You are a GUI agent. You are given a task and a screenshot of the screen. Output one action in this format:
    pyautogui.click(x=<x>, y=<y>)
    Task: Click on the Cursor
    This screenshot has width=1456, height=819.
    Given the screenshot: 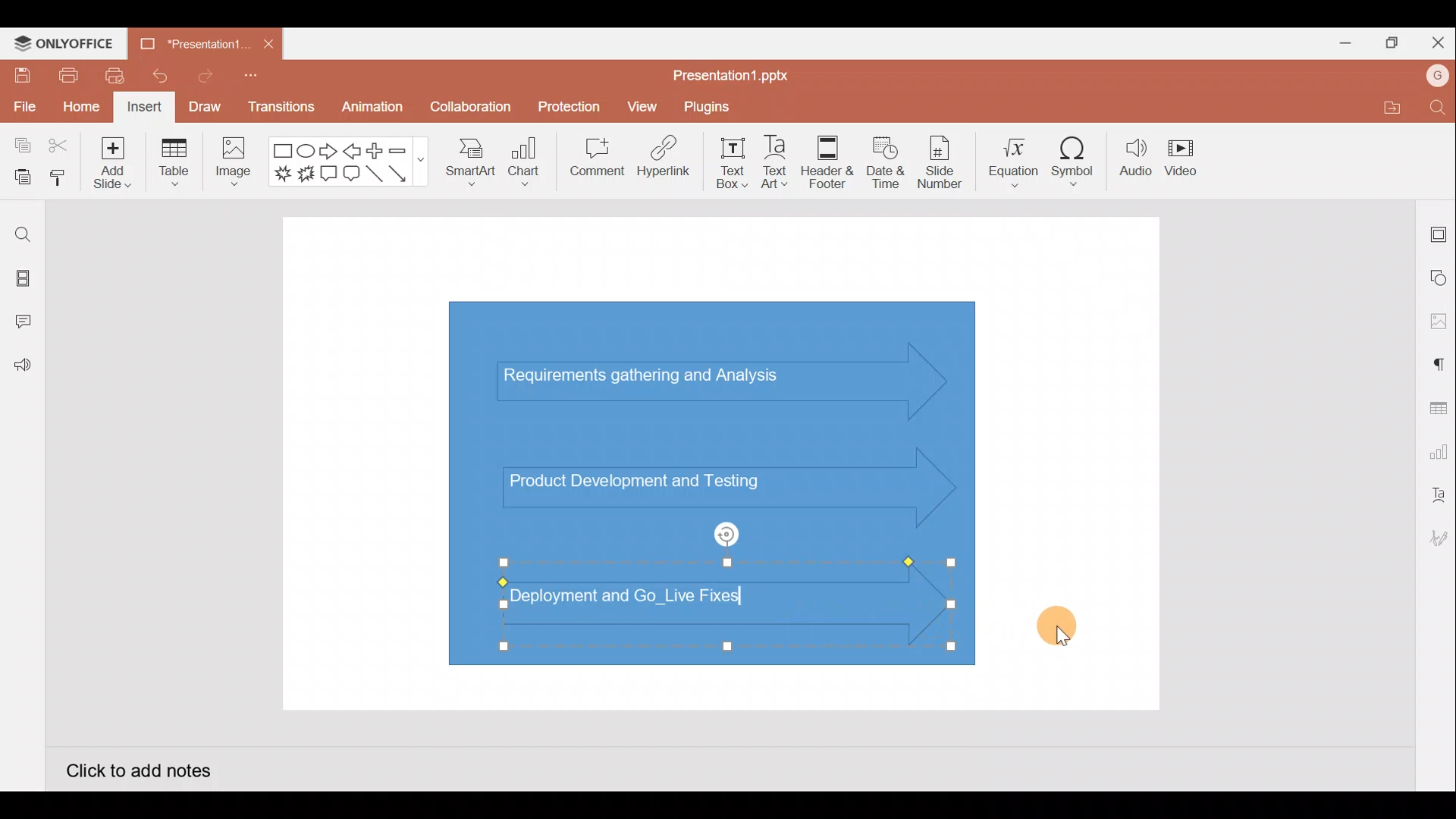 What is the action you would take?
    pyautogui.click(x=1059, y=622)
    